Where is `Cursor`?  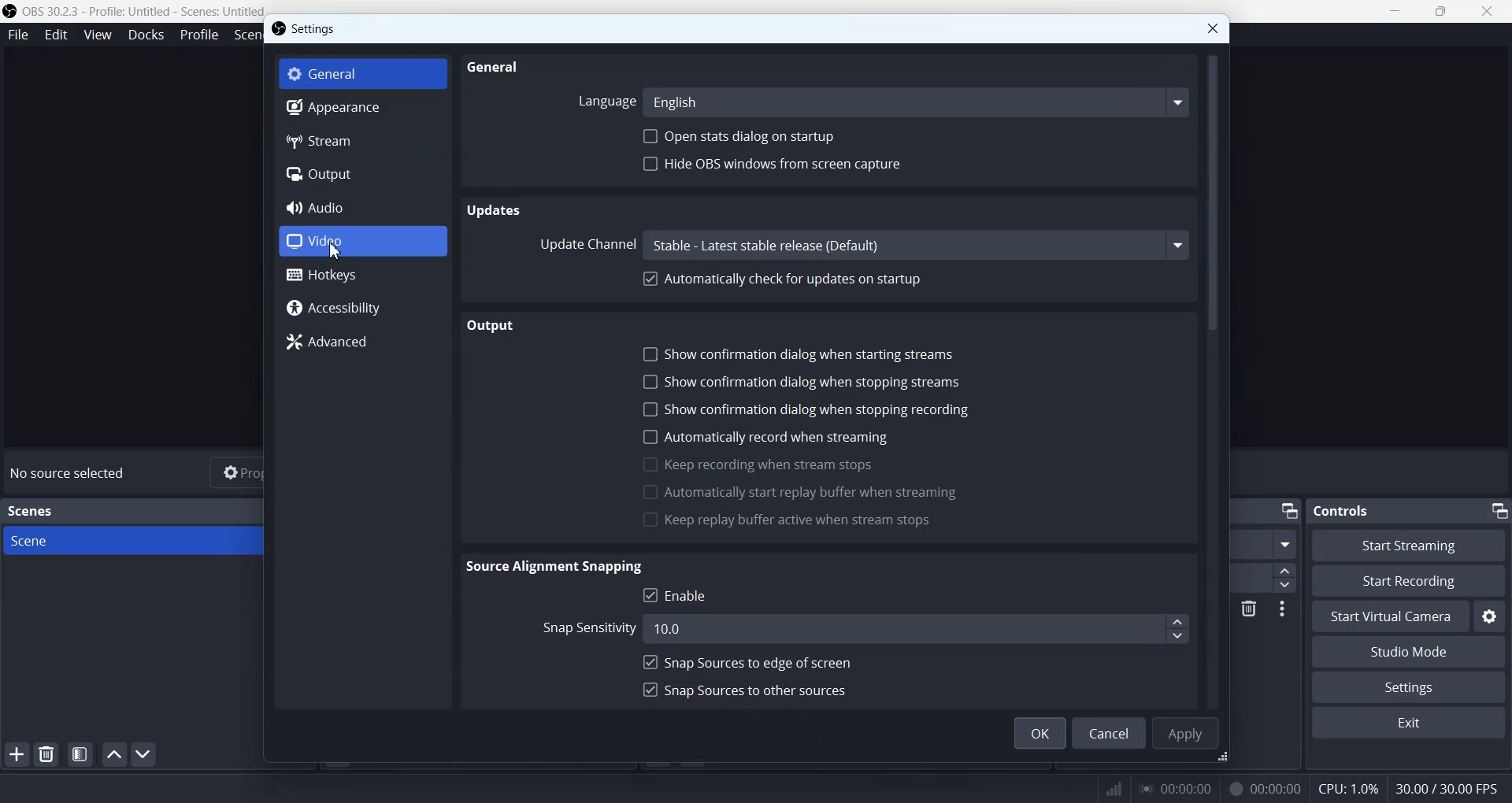
Cursor is located at coordinates (336, 249).